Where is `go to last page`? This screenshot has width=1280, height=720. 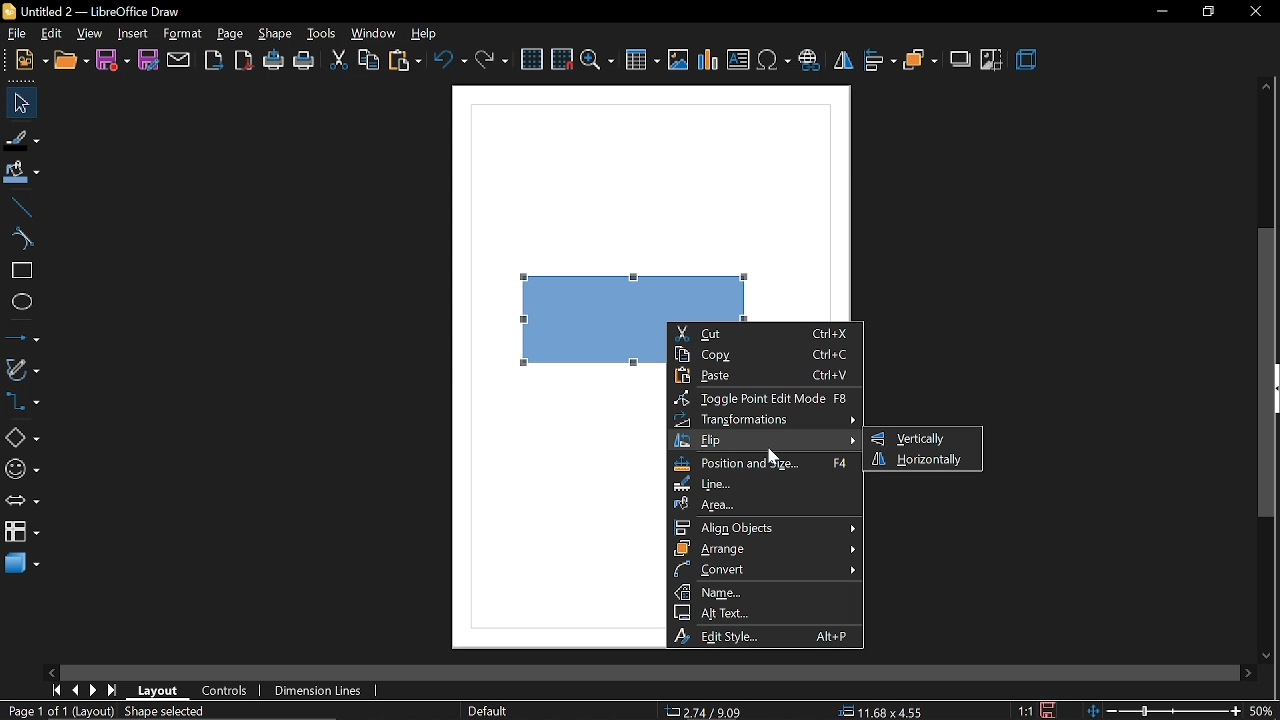 go to last page is located at coordinates (112, 692).